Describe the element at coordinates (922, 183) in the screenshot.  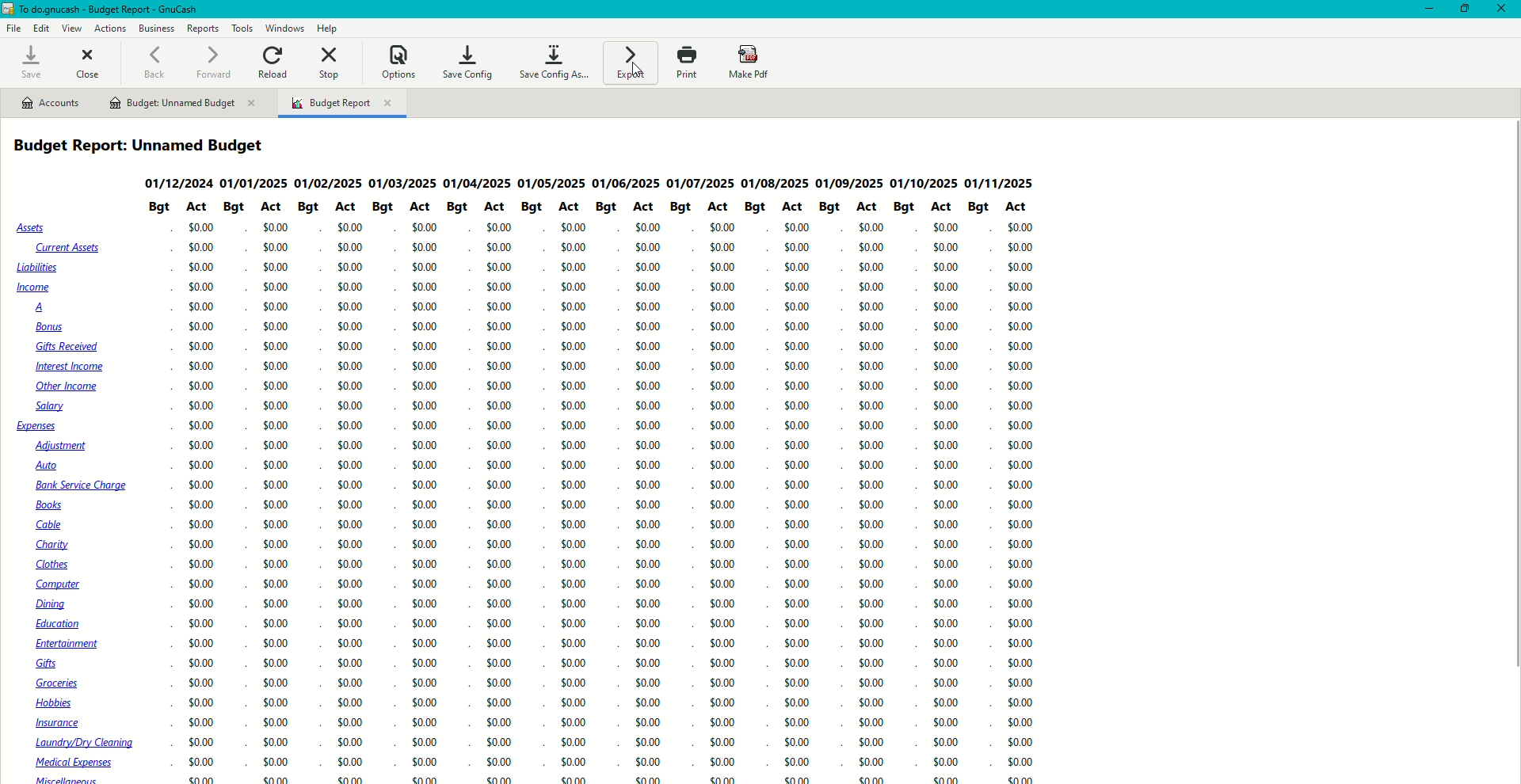
I see `01/10/2025` at that location.